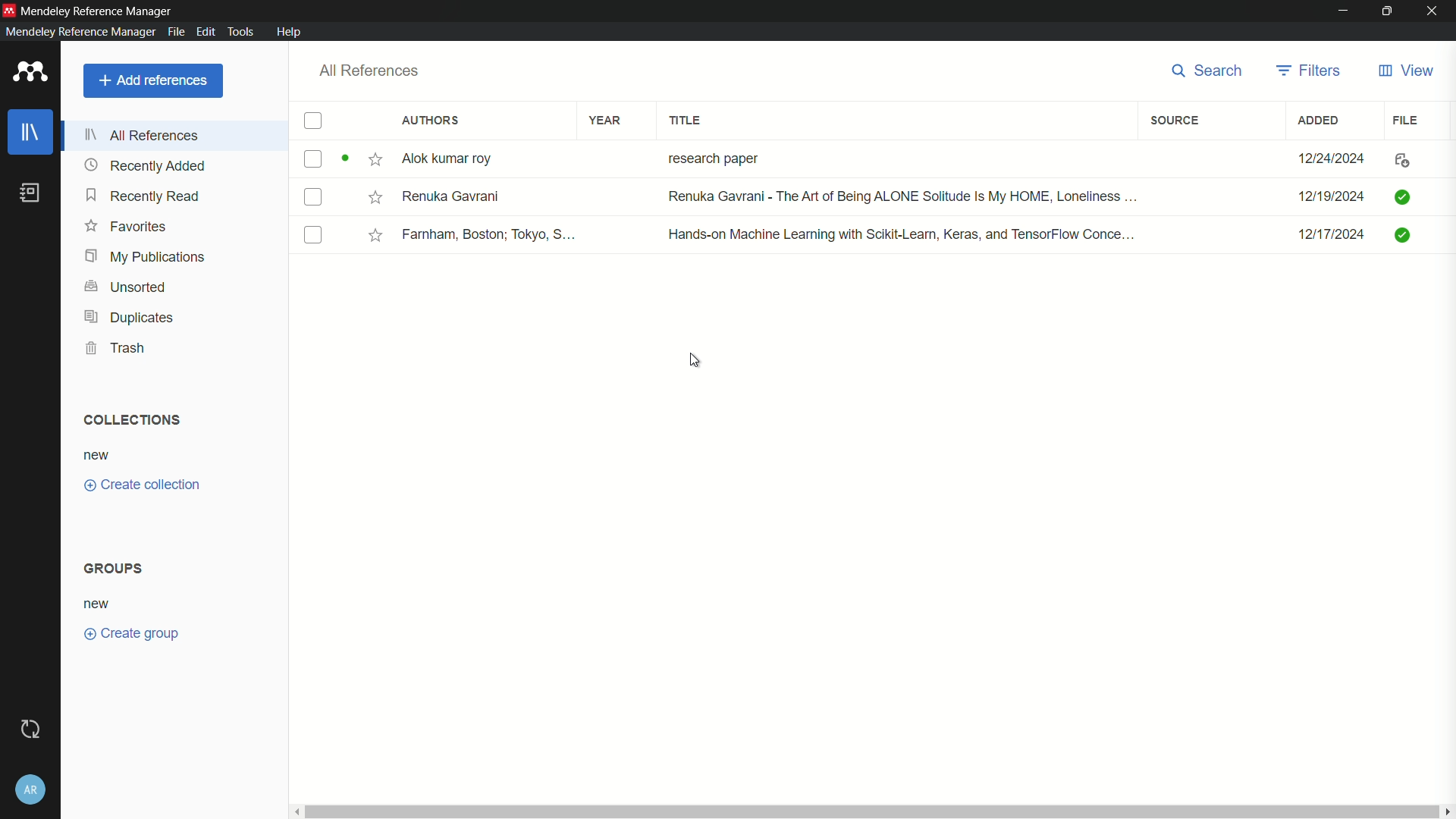 The image size is (1456, 819). What do you see at coordinates (608, 121) in the screenshot?
I see `year` at bounding box center [608, 121].